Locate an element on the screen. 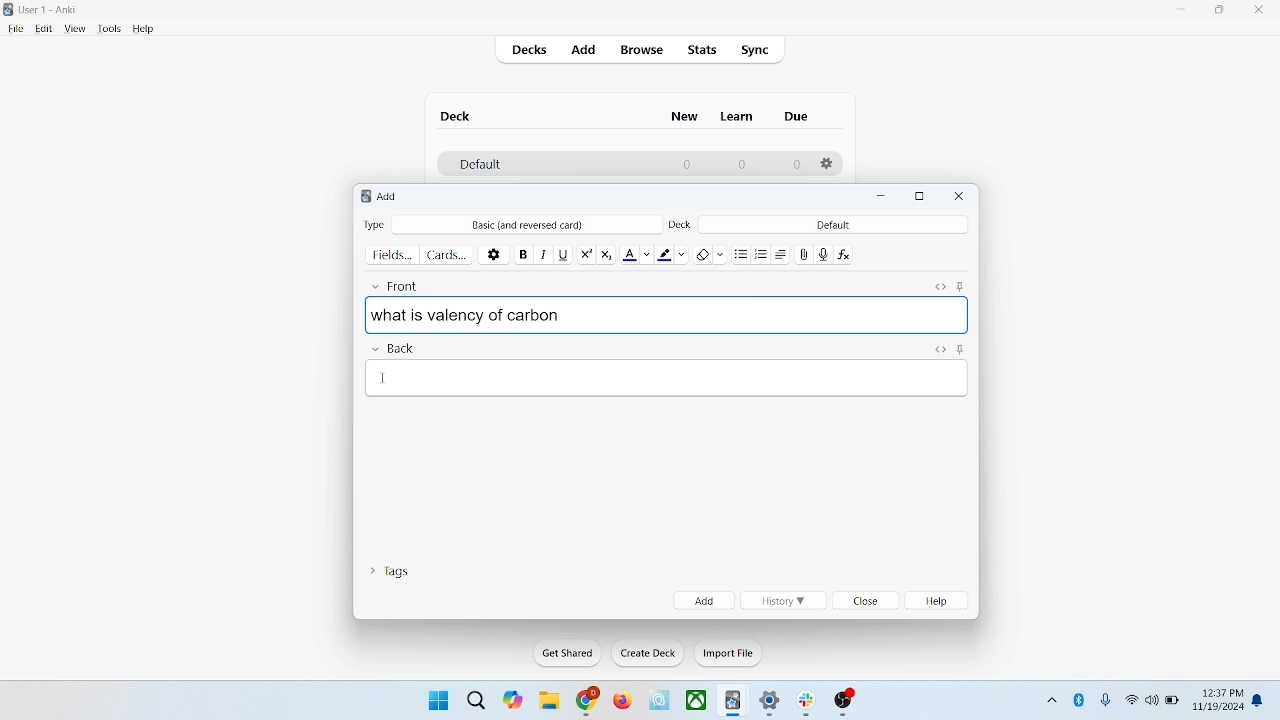 Image resolution: width=1280 pixels, height=720 pixels. back is located at coordinates (392, 349).